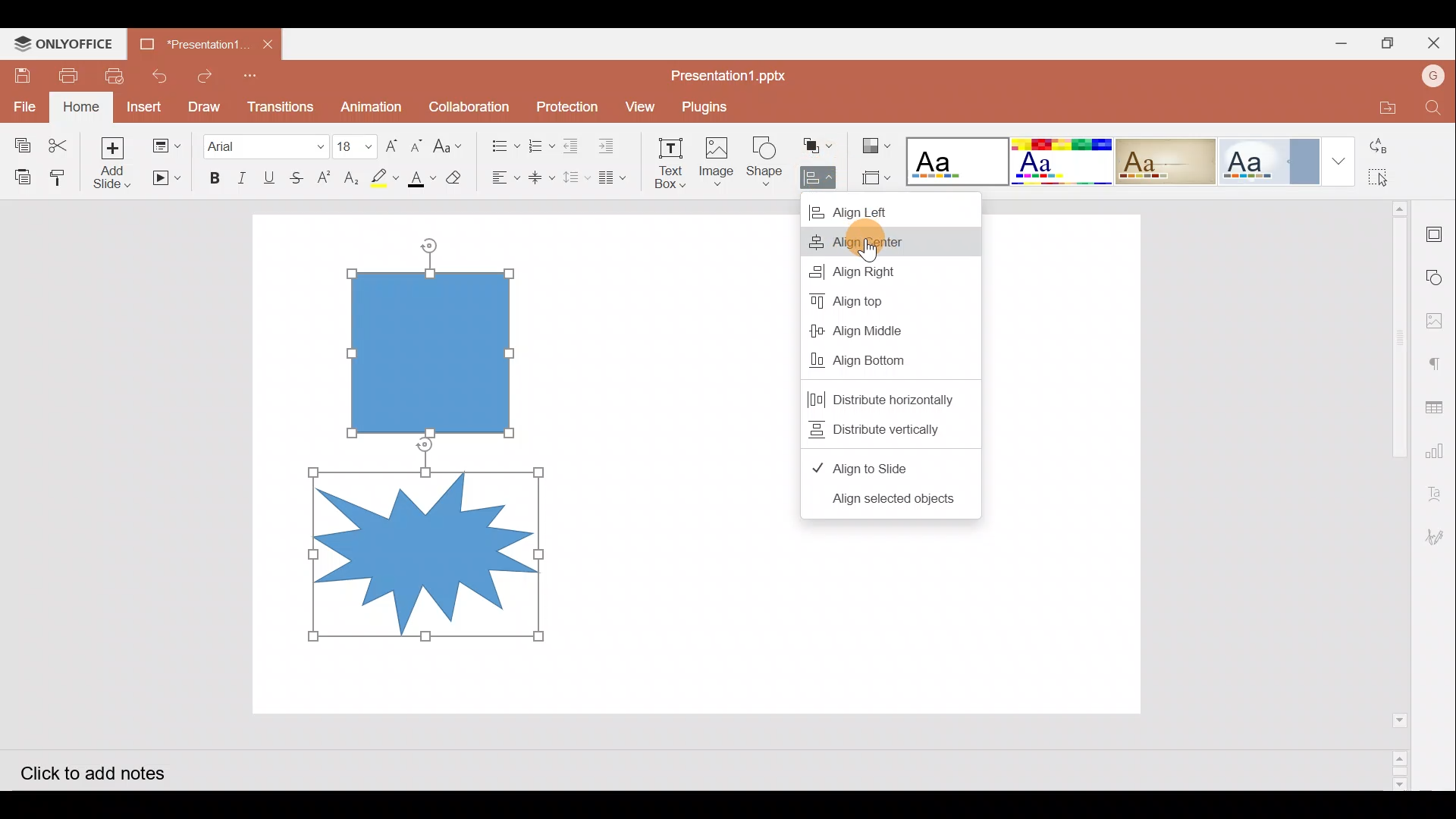 This screenshot has height=819, width=1456. Describe the element at coordinates (764, 155) in the screenshot. I see `Insert shape` at that location.